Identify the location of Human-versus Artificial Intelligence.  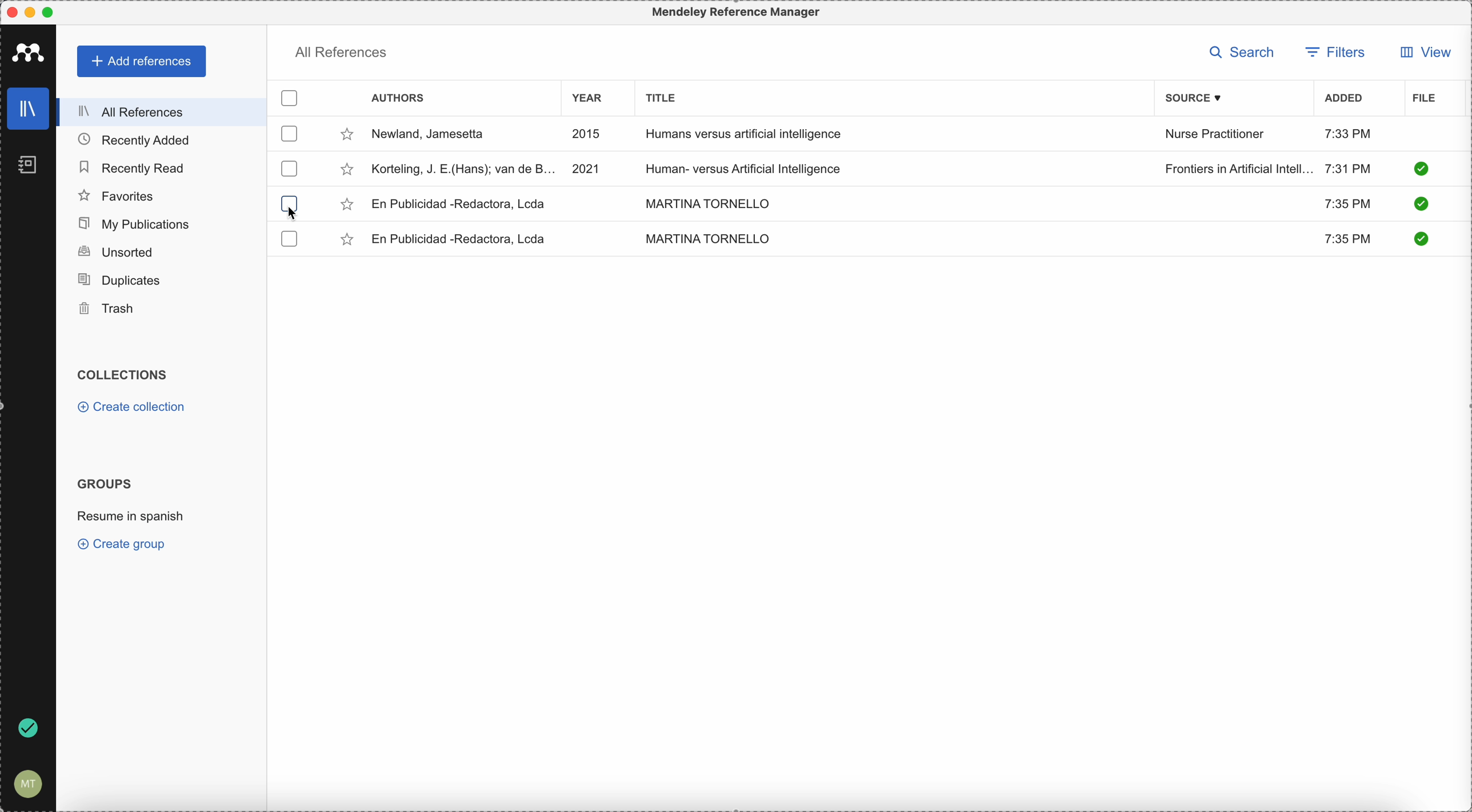
(754, 167).